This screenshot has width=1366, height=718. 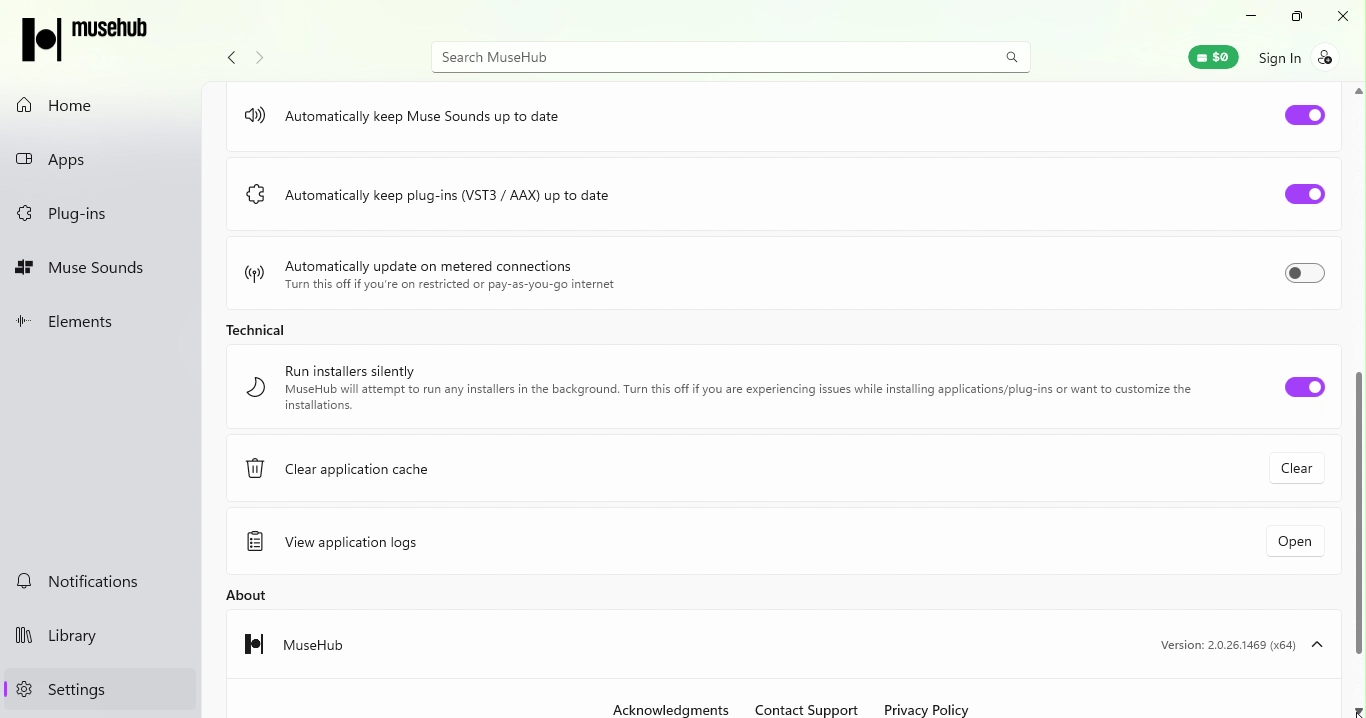 What do you see at coordinates (804, 708) in the screenshot?
I see `Contact support` at bounding box center [804, 708].